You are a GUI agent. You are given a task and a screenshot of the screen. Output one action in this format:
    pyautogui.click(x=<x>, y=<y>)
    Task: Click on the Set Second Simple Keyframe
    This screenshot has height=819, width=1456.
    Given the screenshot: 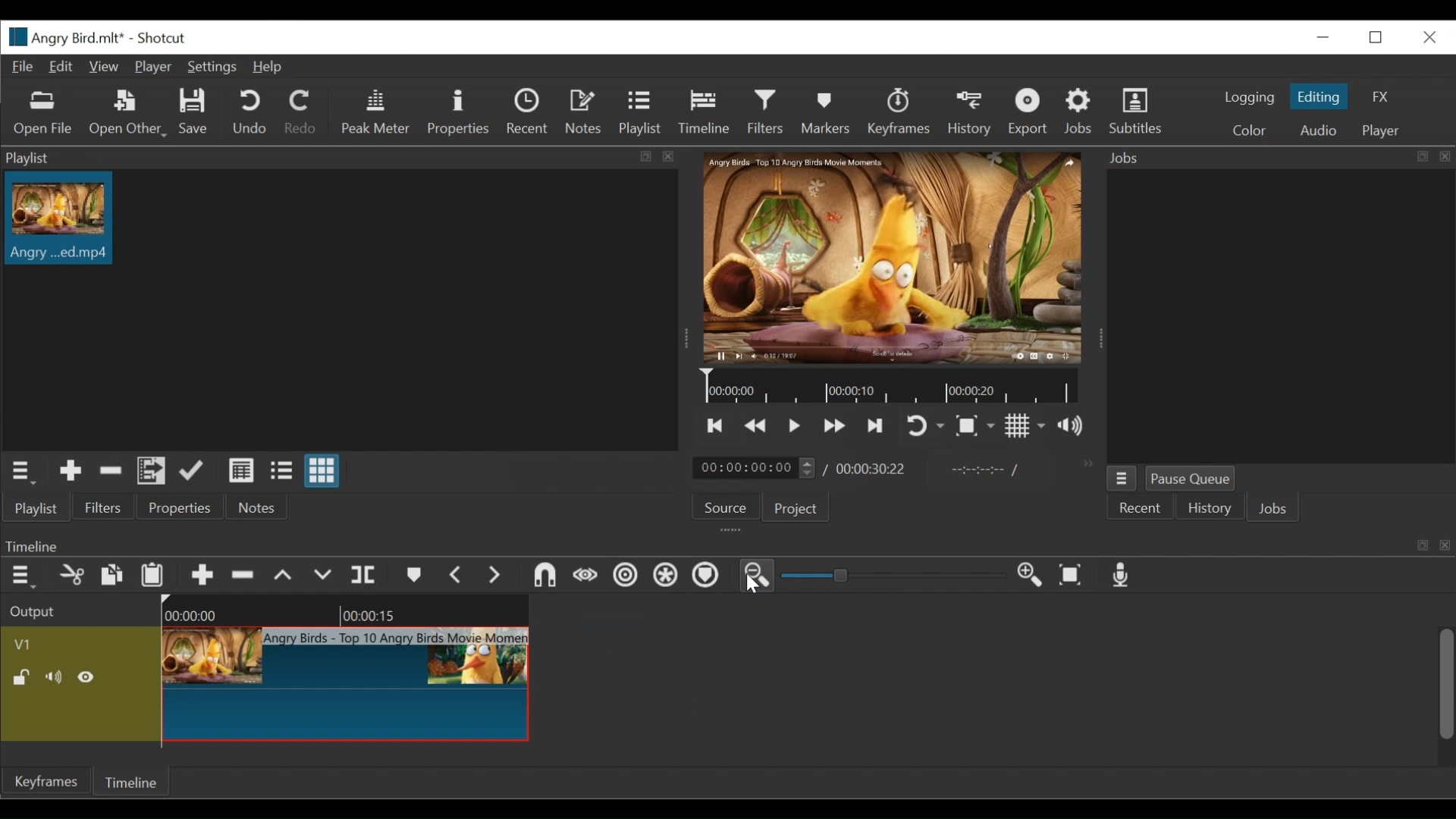 What is the action you would take?
    pyautogui.click(x=620, y=578)
    